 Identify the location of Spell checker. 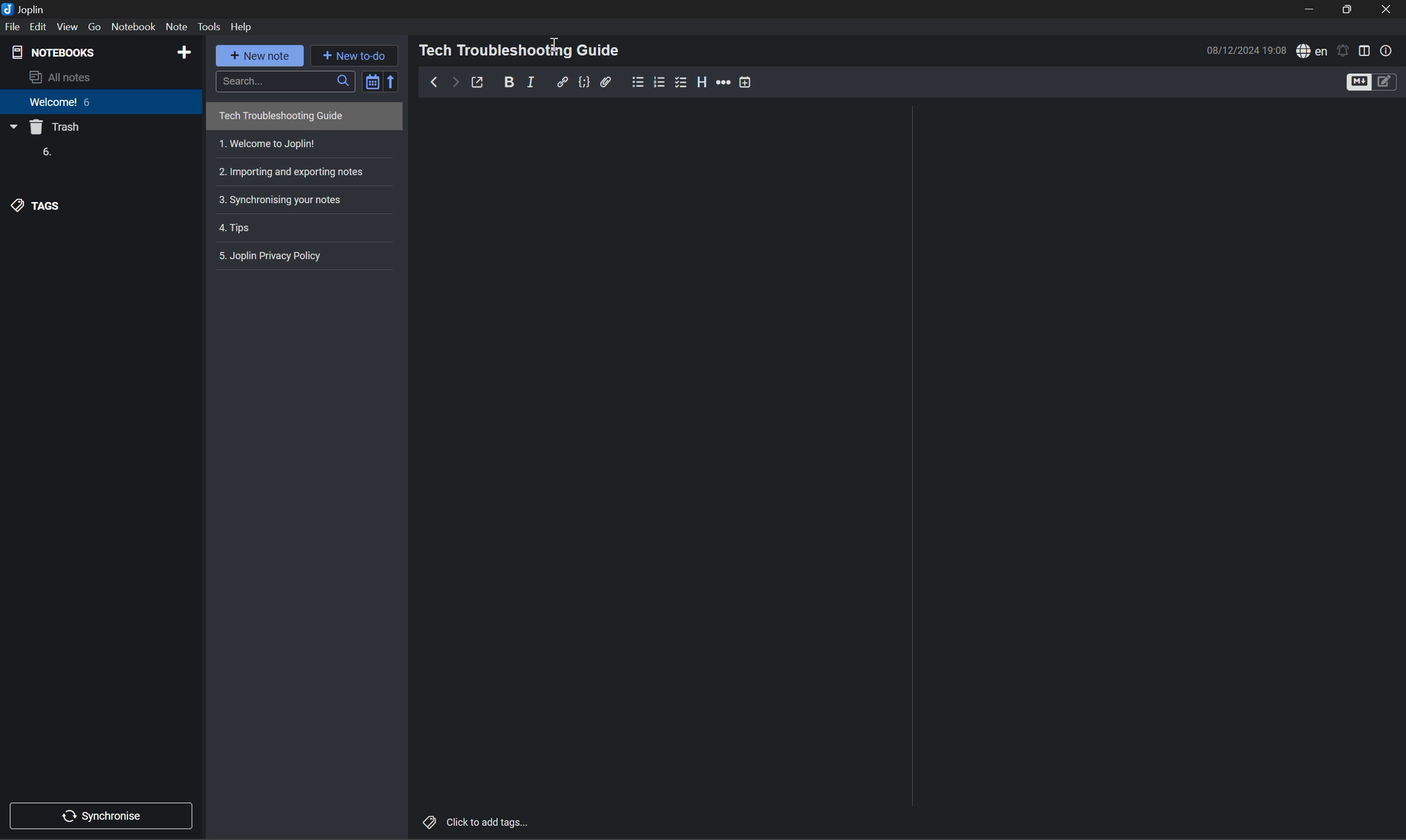
(1310, 51).